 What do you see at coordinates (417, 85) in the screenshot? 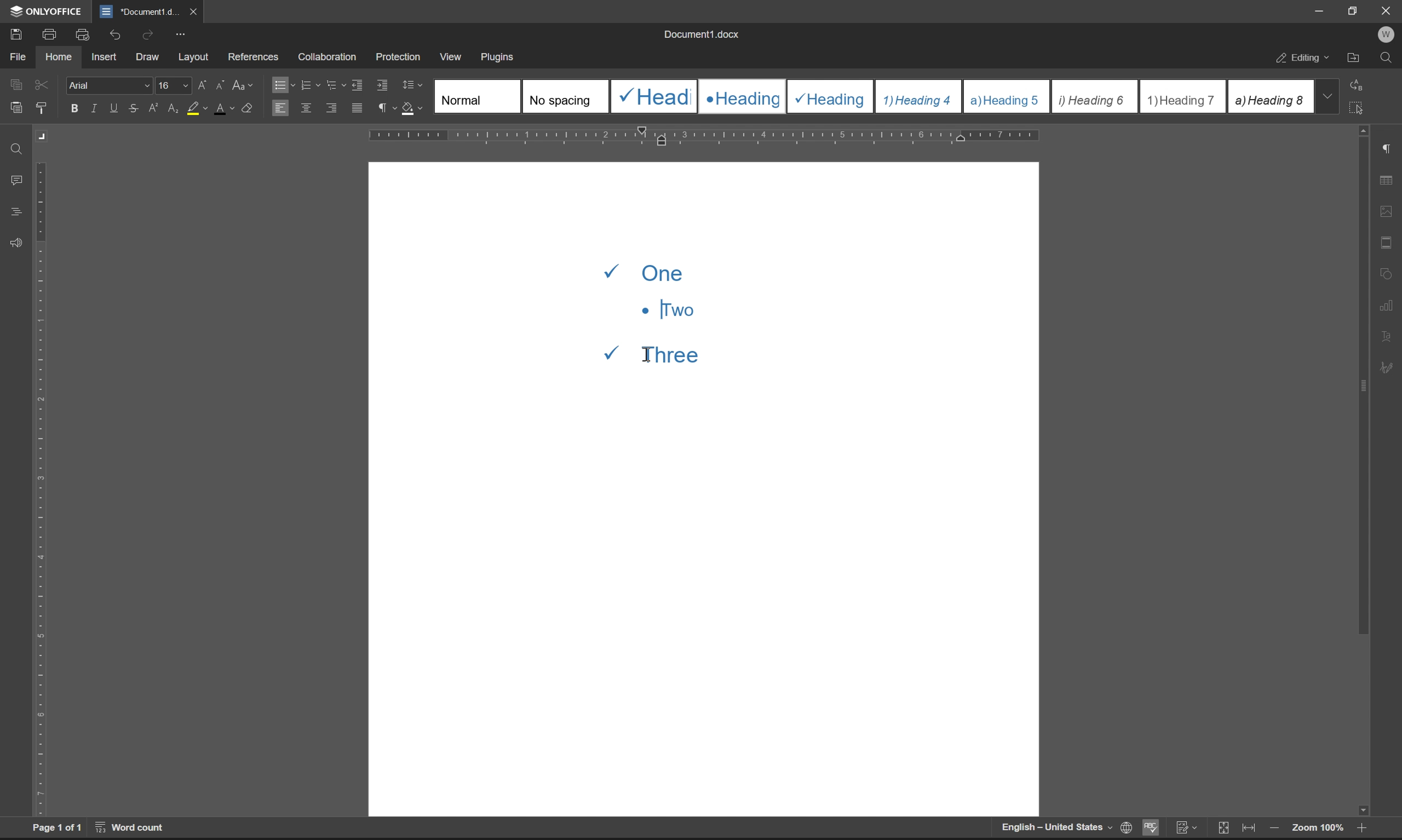
I see `Line spacing` at bounding box center [417, 85].